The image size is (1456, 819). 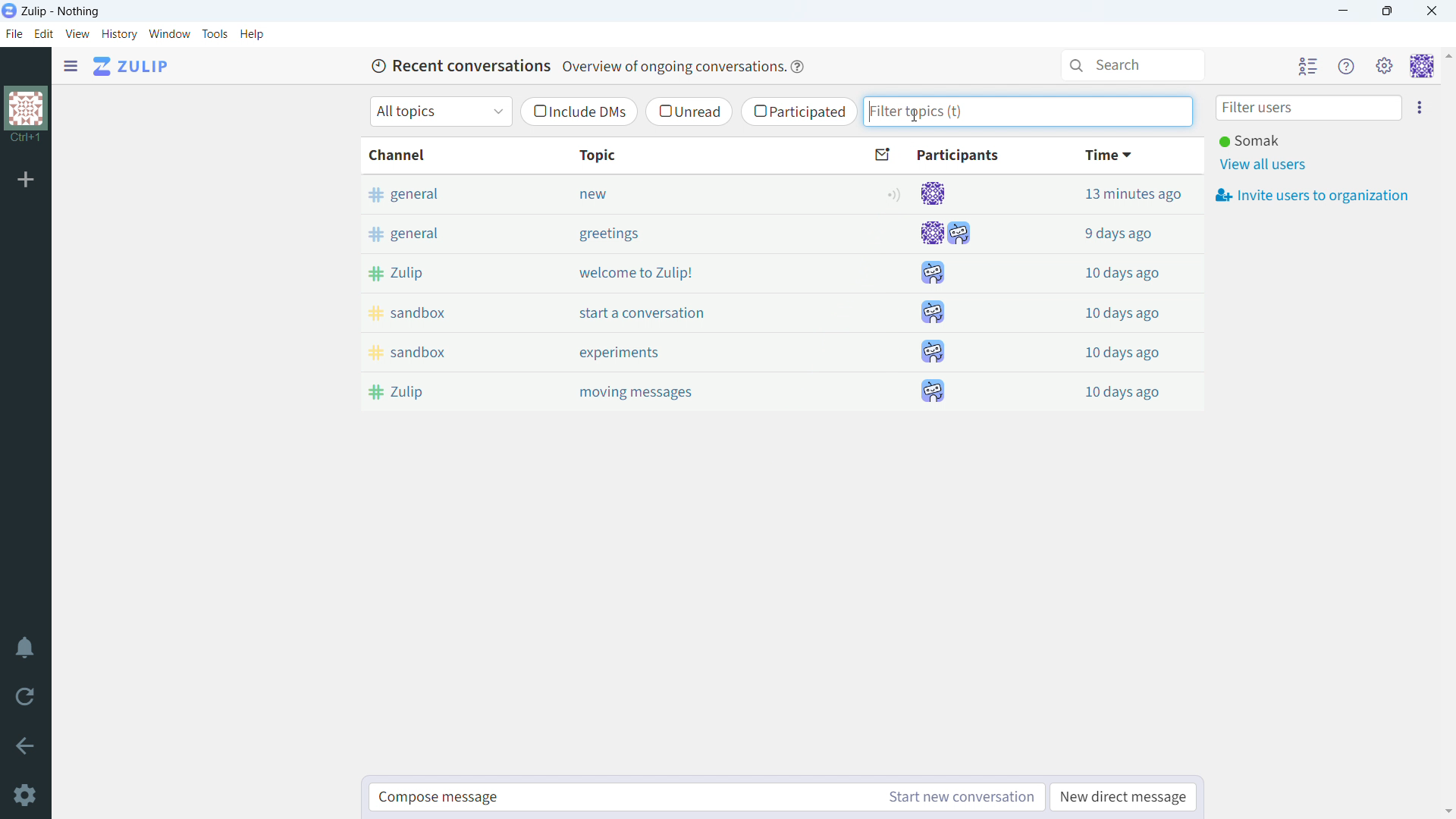 I want to click on sandbox, so click(x=438, y=312).